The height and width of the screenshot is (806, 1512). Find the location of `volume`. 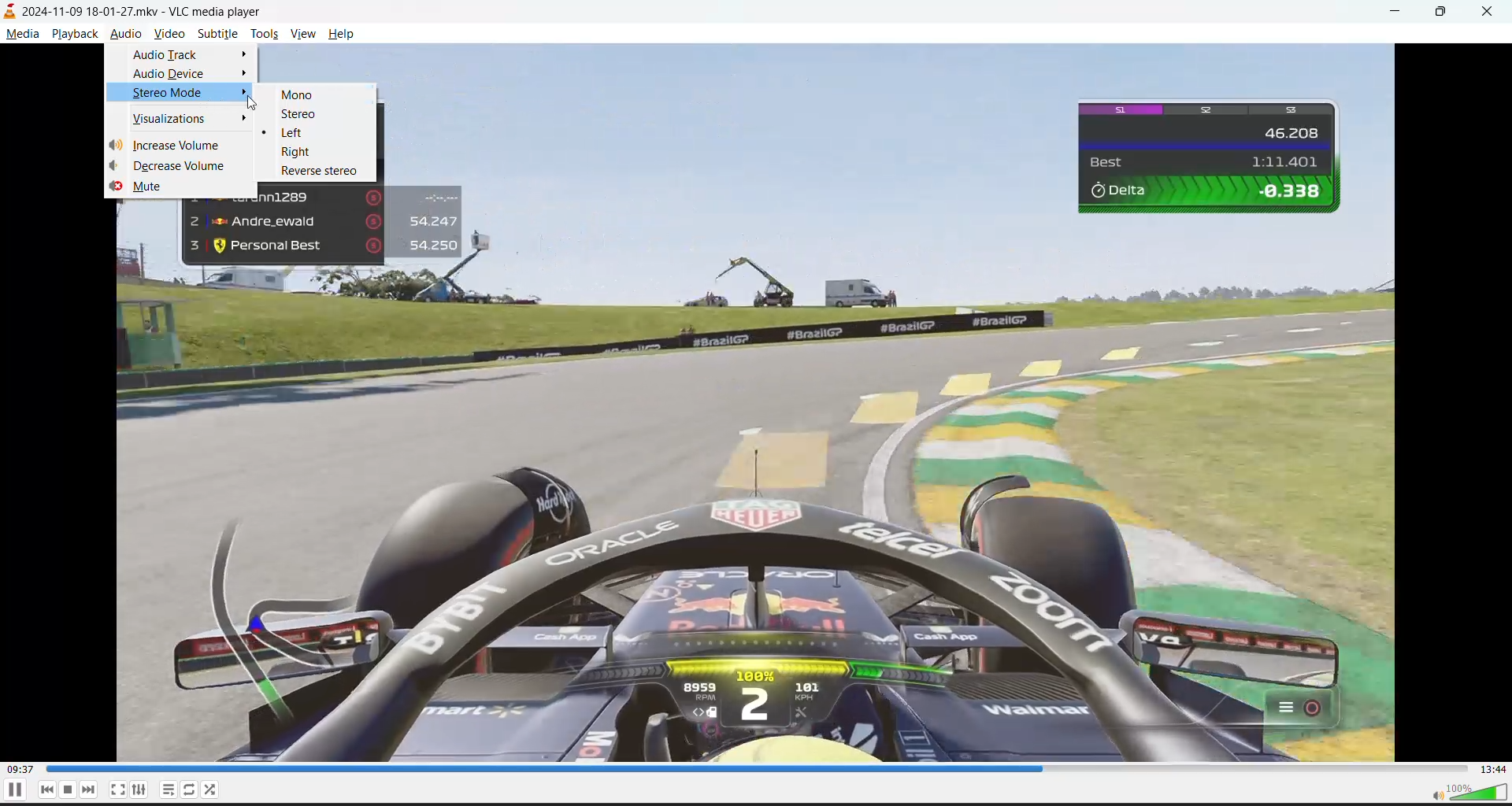

volume is located at coordinates (1470, 791).